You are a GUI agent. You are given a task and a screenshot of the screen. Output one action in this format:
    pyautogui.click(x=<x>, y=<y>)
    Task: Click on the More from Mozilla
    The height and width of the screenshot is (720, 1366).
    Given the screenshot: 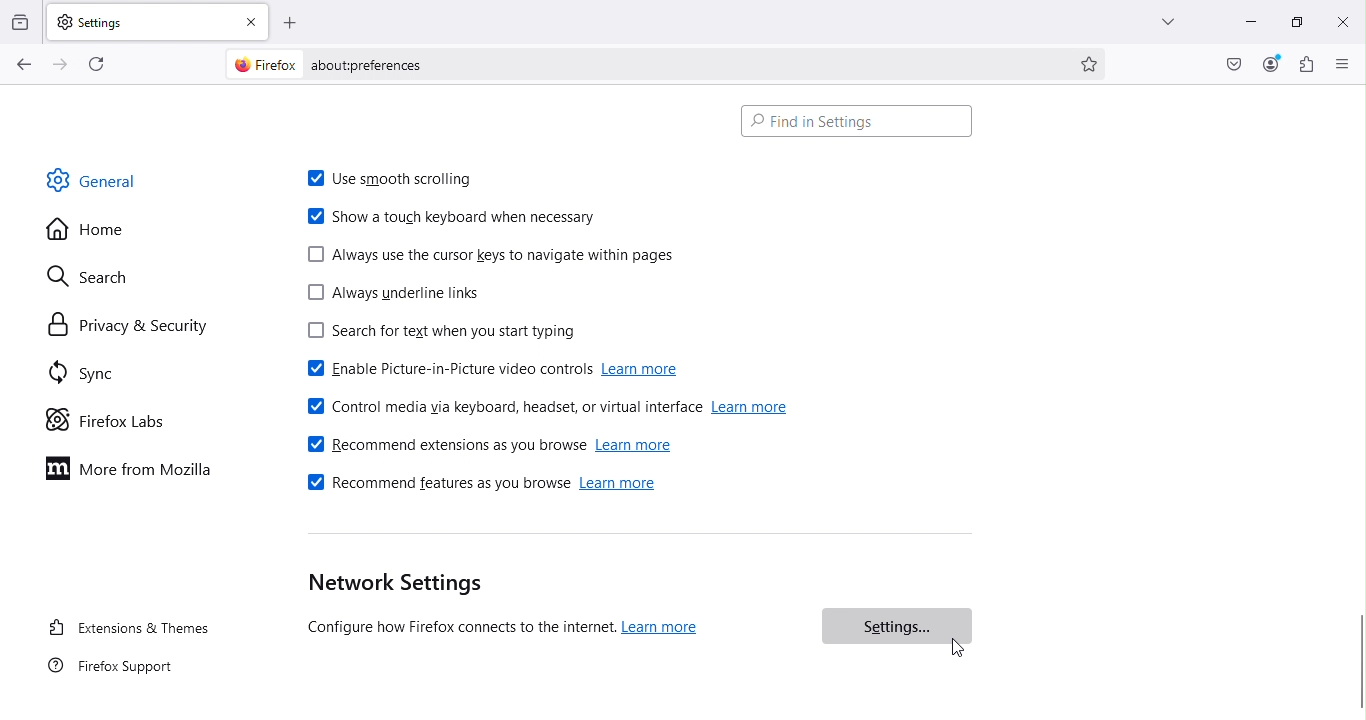 What is the action you would take?
    pyautogui.click(x=135, y=473)
    